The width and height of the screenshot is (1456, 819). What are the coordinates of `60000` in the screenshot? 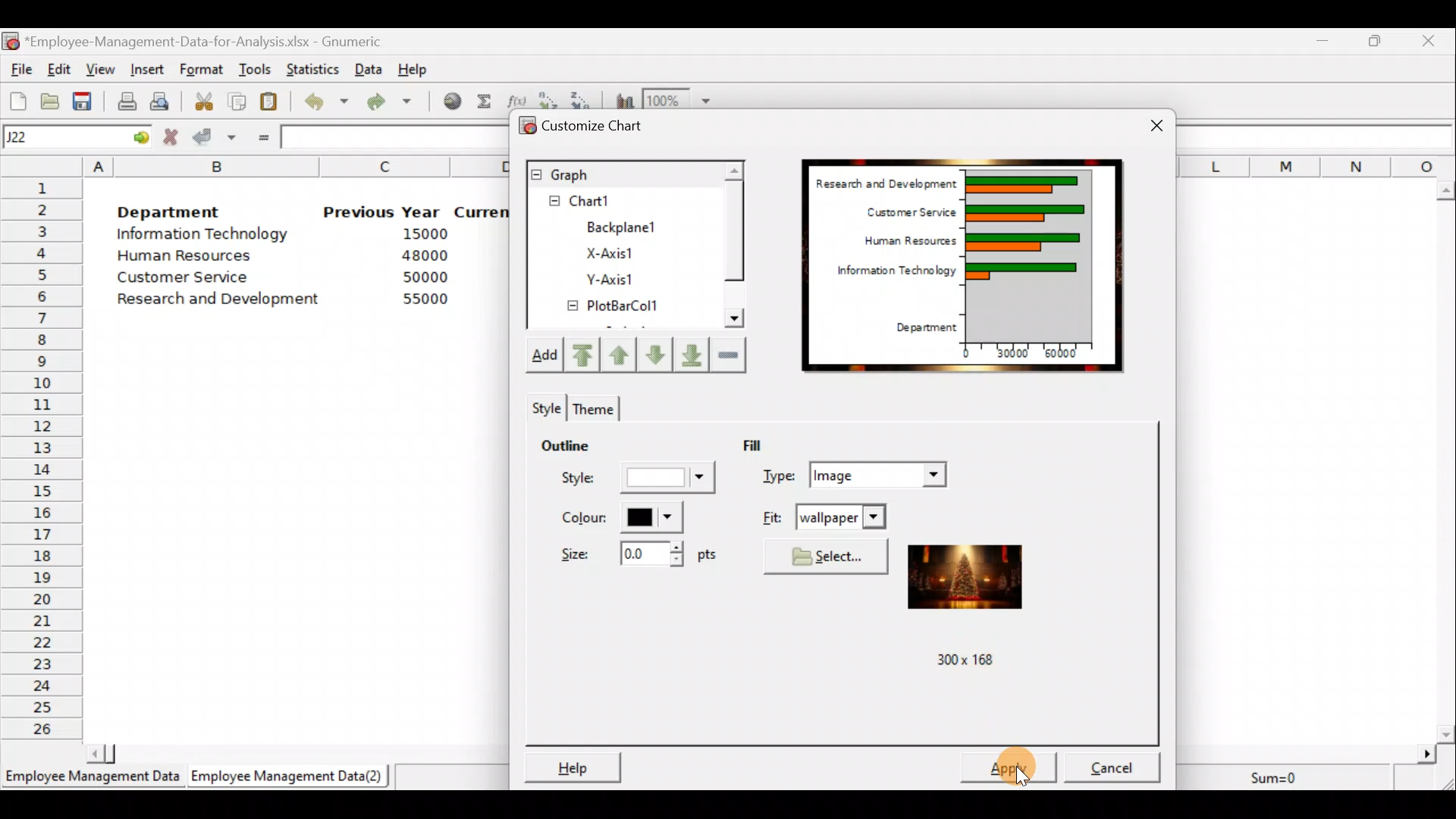 It's located at (1070, 354).